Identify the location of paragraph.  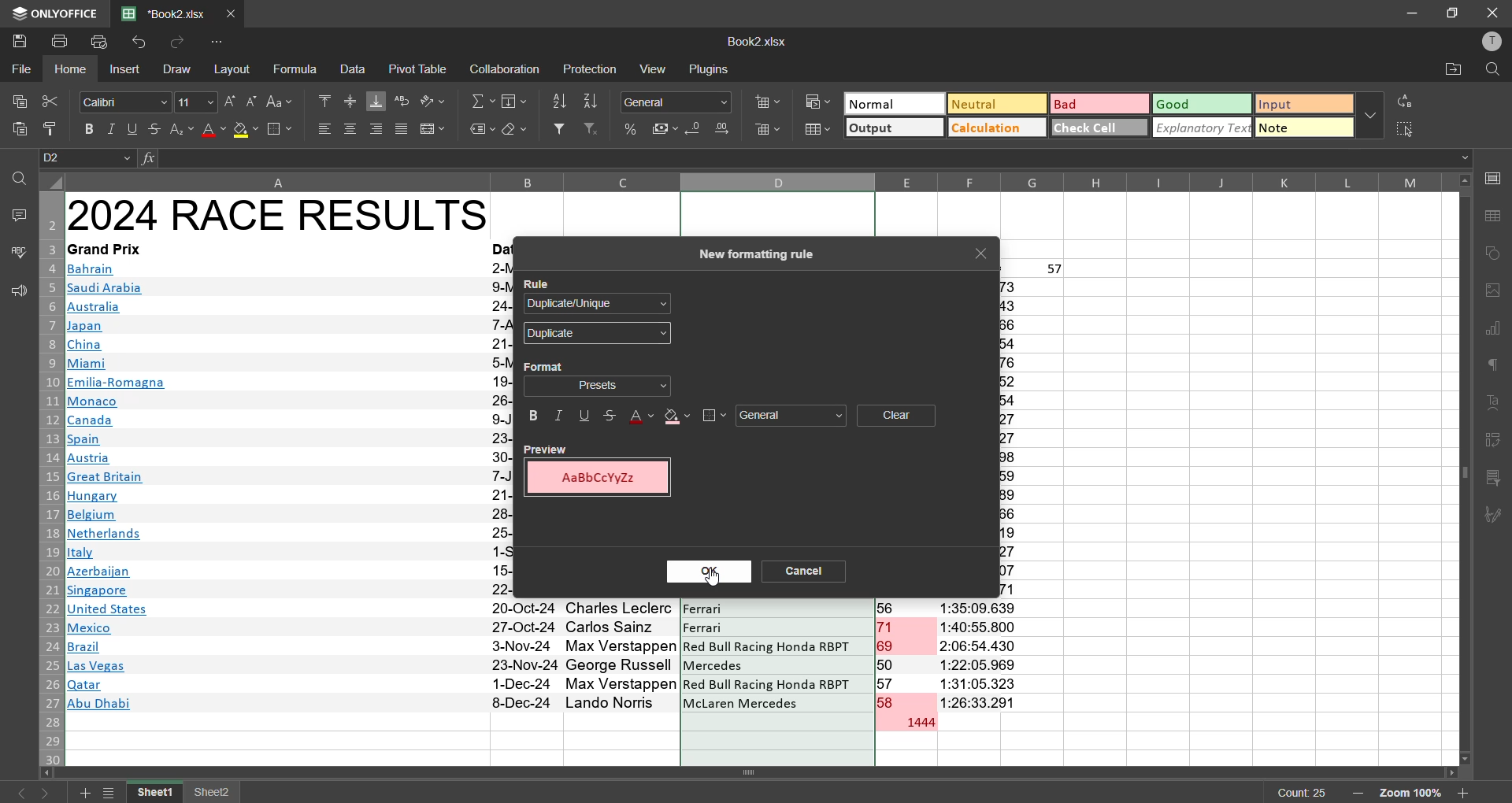
(1496, 368).